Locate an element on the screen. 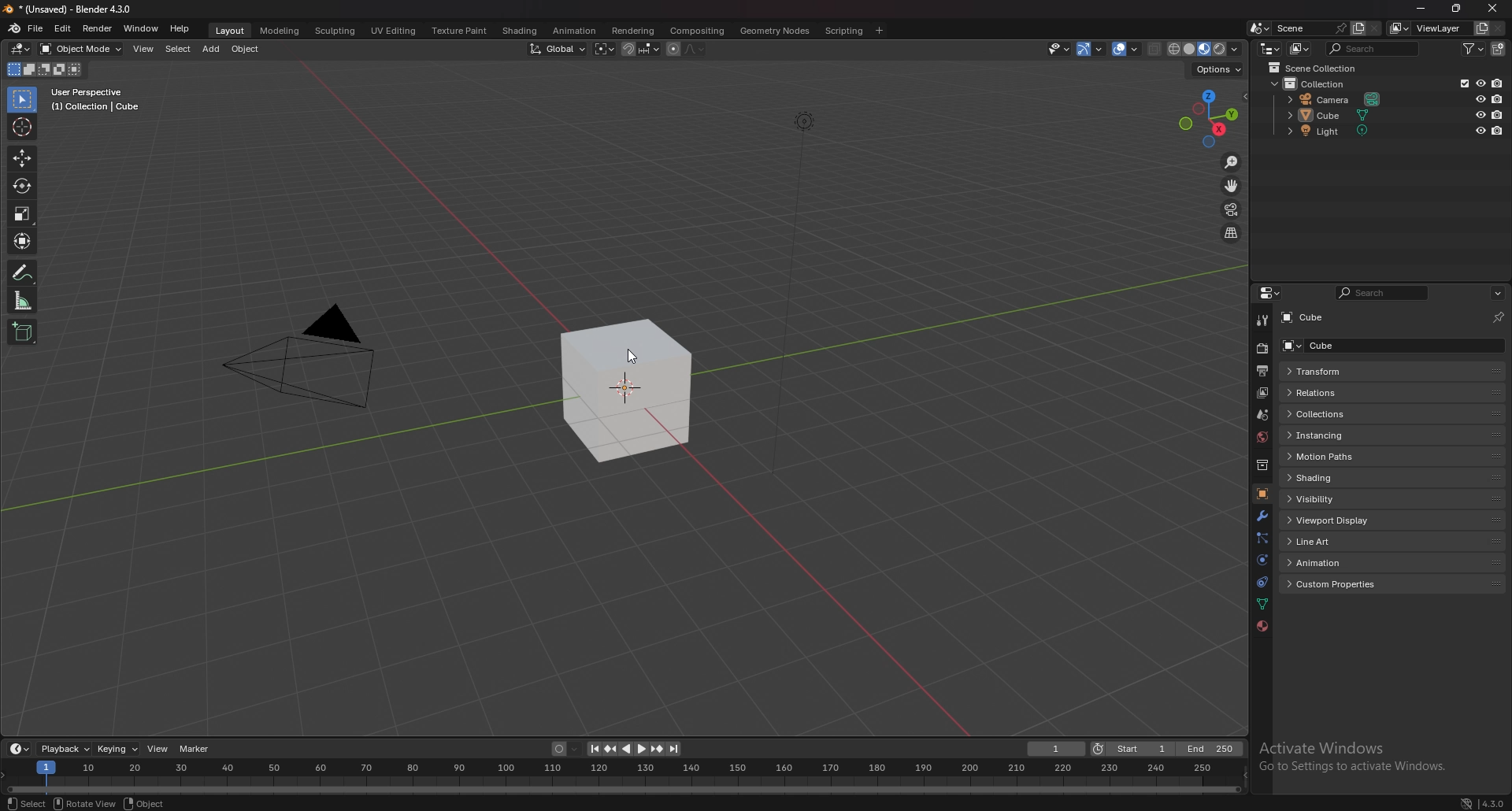  window is located at coordinates (140, 28).